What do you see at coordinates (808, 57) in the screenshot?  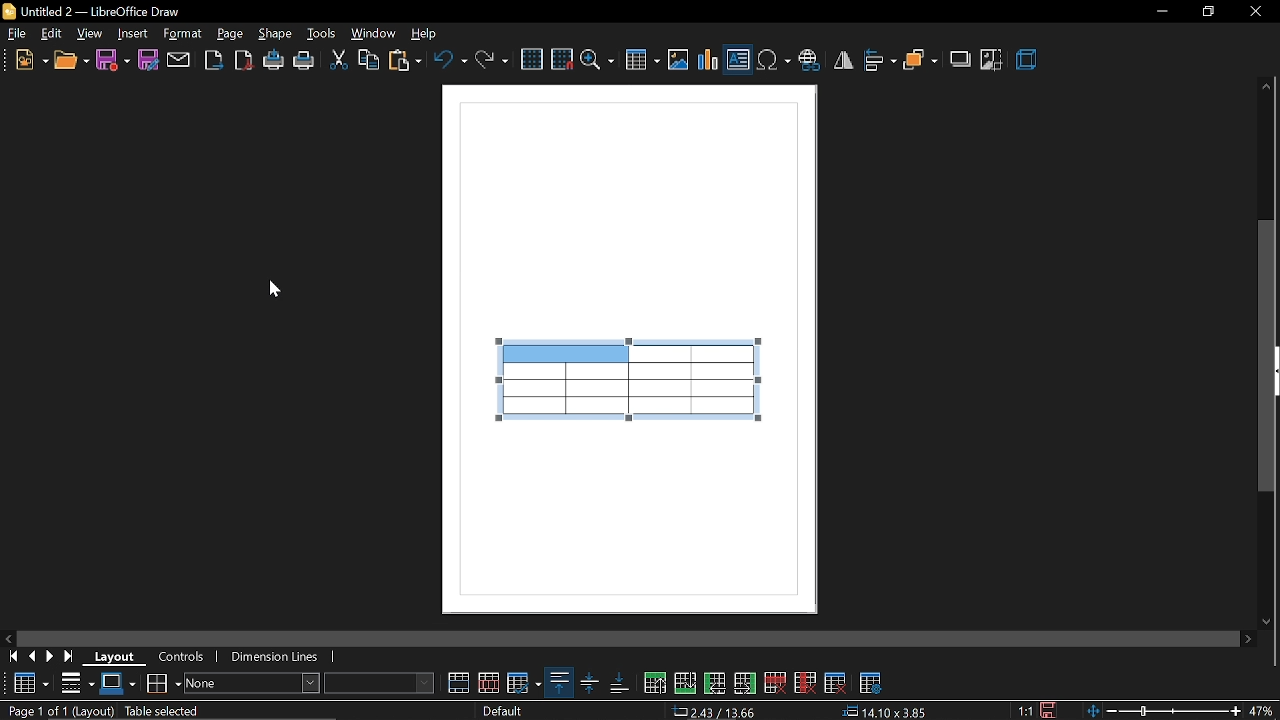 I see `insert hyperlink` at bounding box center [808, 57].